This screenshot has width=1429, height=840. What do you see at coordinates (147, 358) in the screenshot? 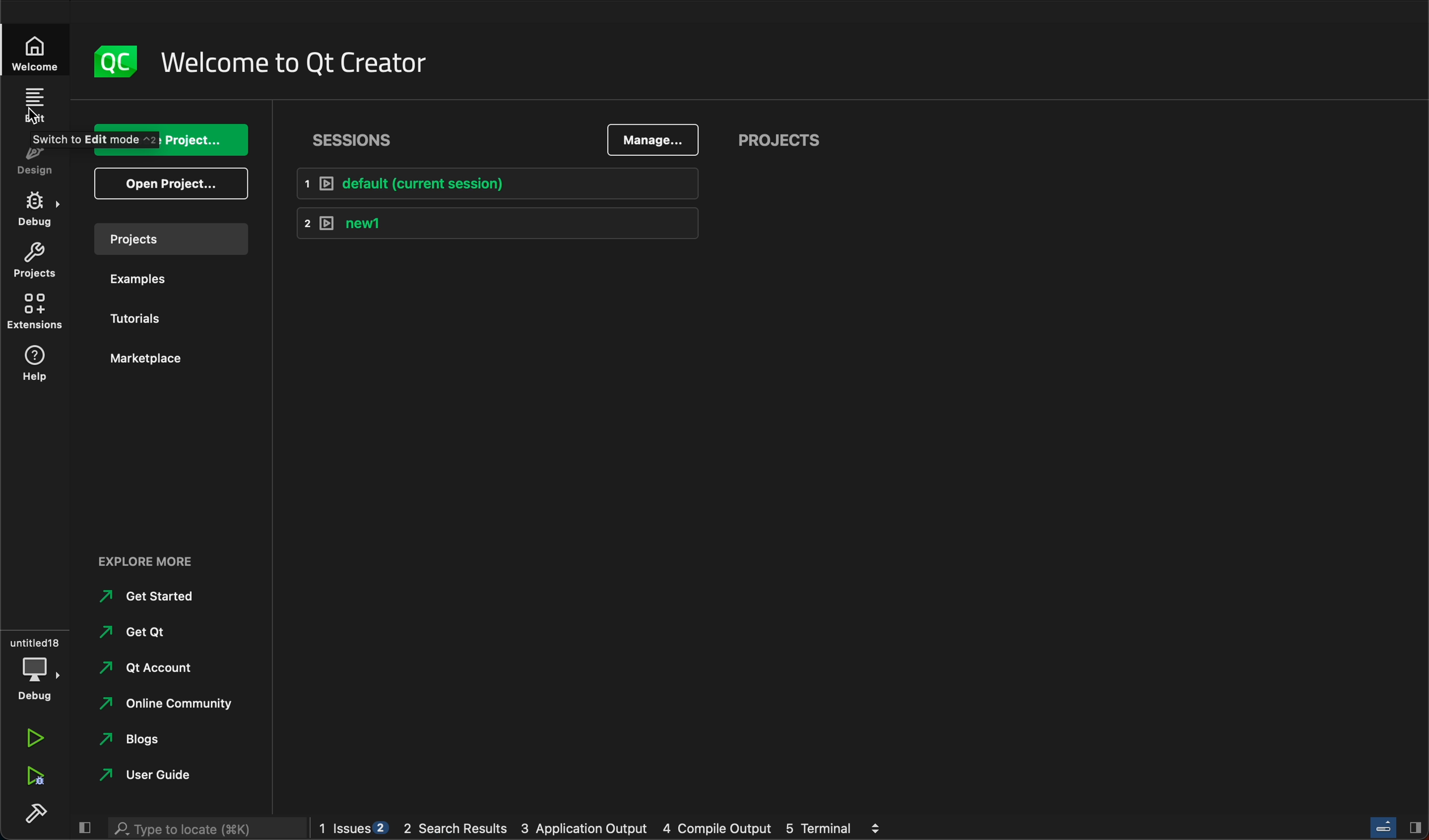
I see `marketplace` at bounding box center [147, 358].